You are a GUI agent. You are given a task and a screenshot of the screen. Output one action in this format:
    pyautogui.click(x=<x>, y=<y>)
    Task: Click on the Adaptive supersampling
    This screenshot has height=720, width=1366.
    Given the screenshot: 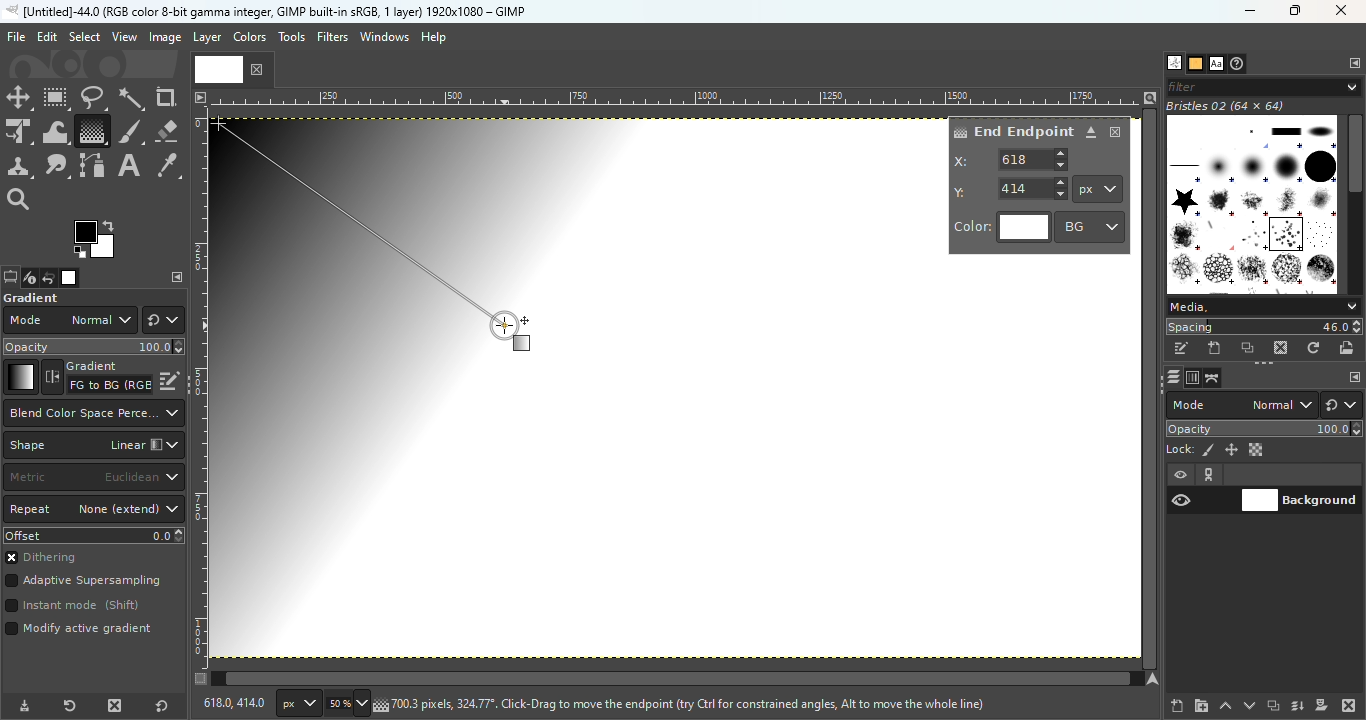 What is the action you would take?
    pyautogui.click(x=84, y=583)
    